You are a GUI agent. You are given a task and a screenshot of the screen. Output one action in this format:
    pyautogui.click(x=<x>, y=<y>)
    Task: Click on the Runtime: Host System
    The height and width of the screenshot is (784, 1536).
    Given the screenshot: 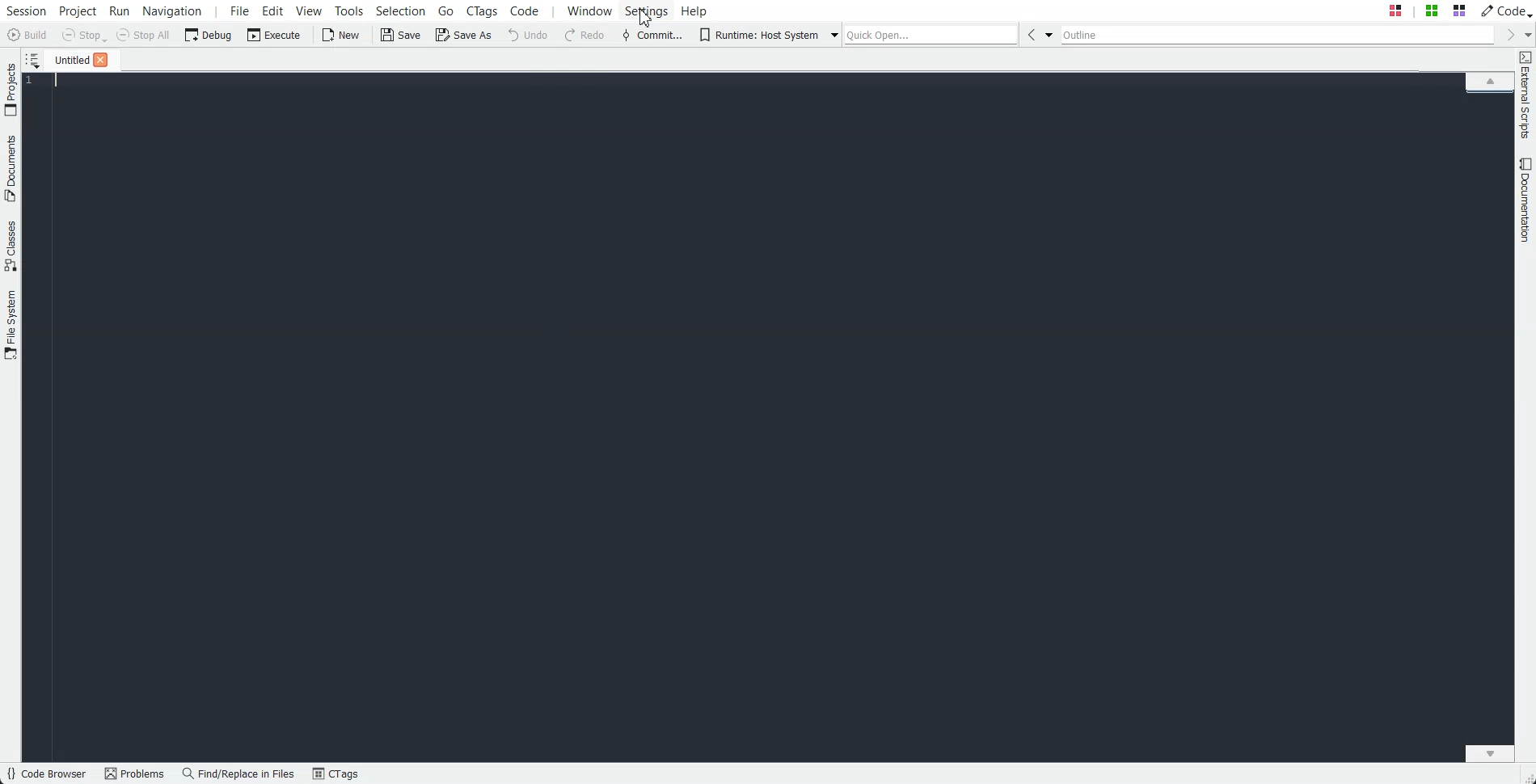 What is the action you would take?
    pyautogui.click(x=758, y=35)
    